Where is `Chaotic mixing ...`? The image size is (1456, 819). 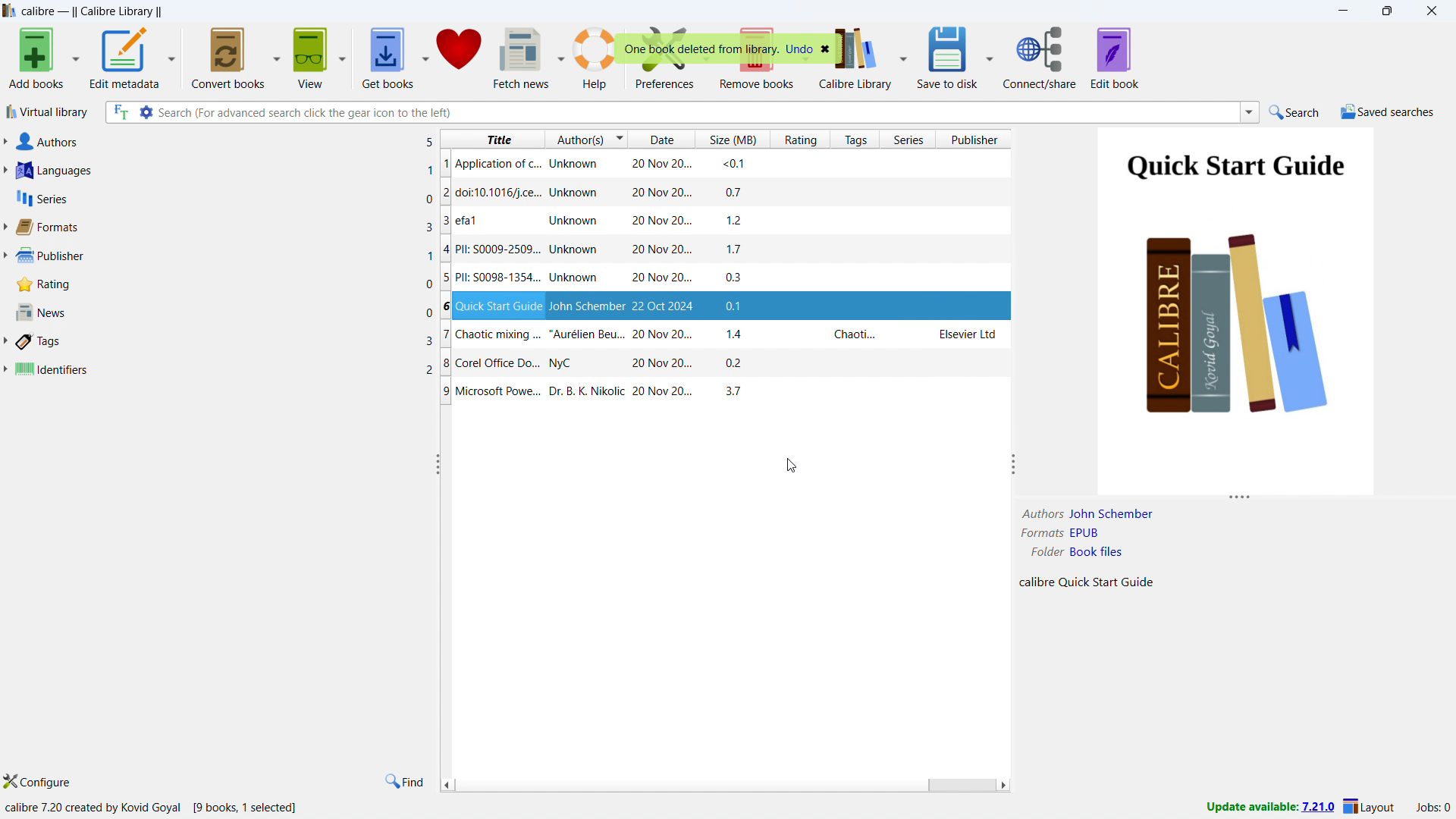 Chaotic mixing ... is located at coordinates (730, 362).